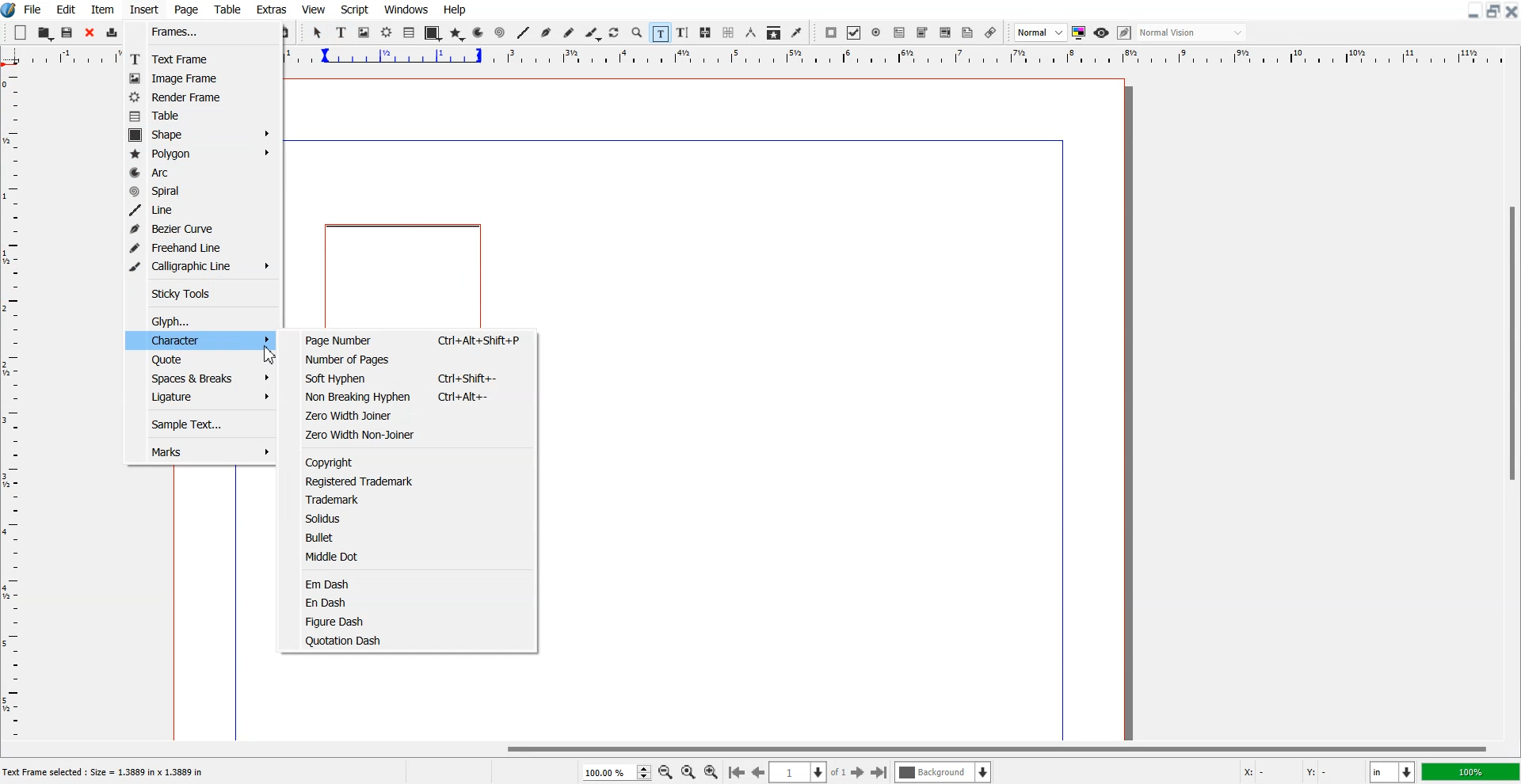  I want to click on Zero Width Joiner, so click(414, 414).